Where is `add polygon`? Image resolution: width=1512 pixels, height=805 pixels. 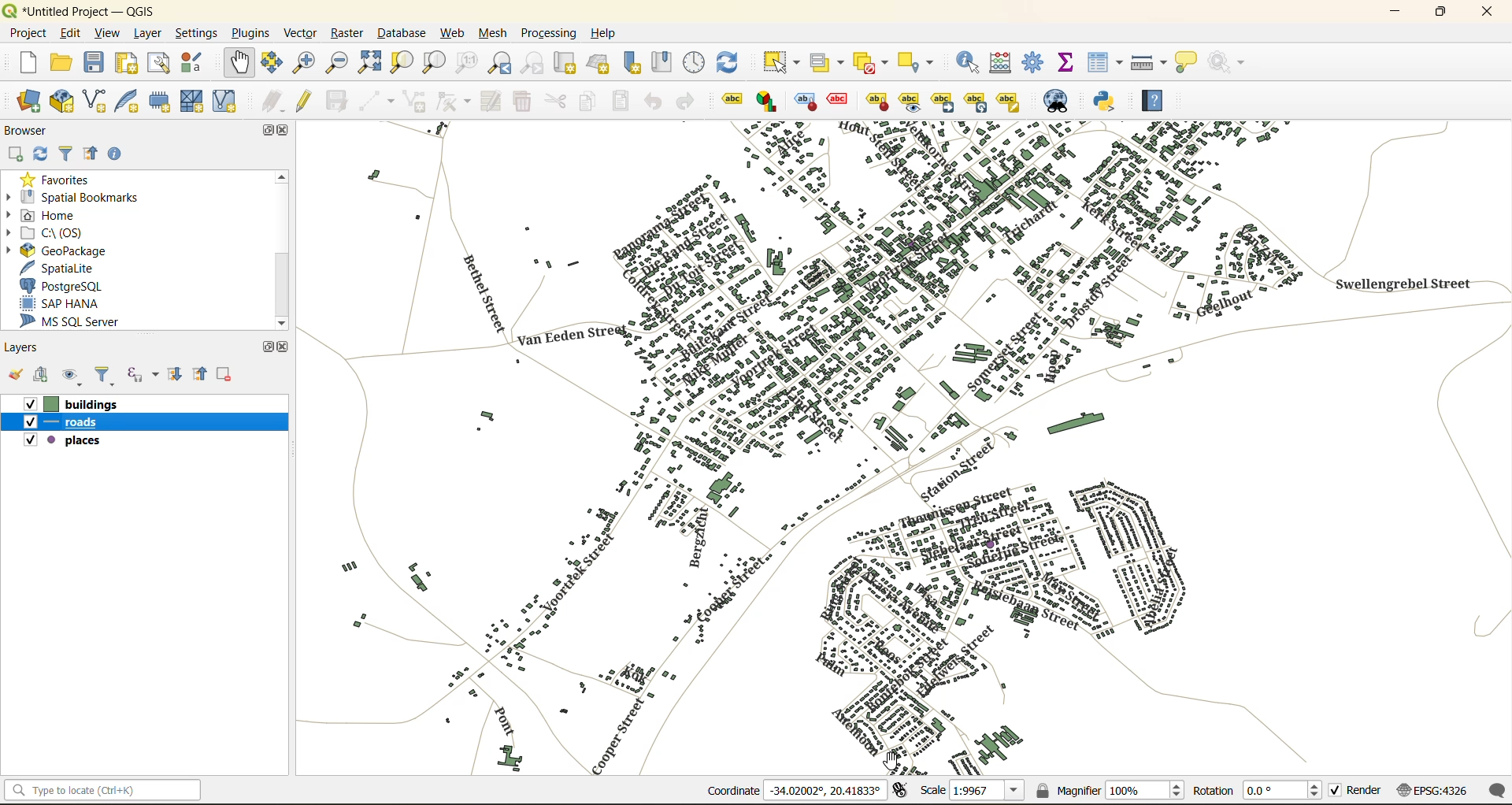 add polygon is located at coordinates (418, 102).